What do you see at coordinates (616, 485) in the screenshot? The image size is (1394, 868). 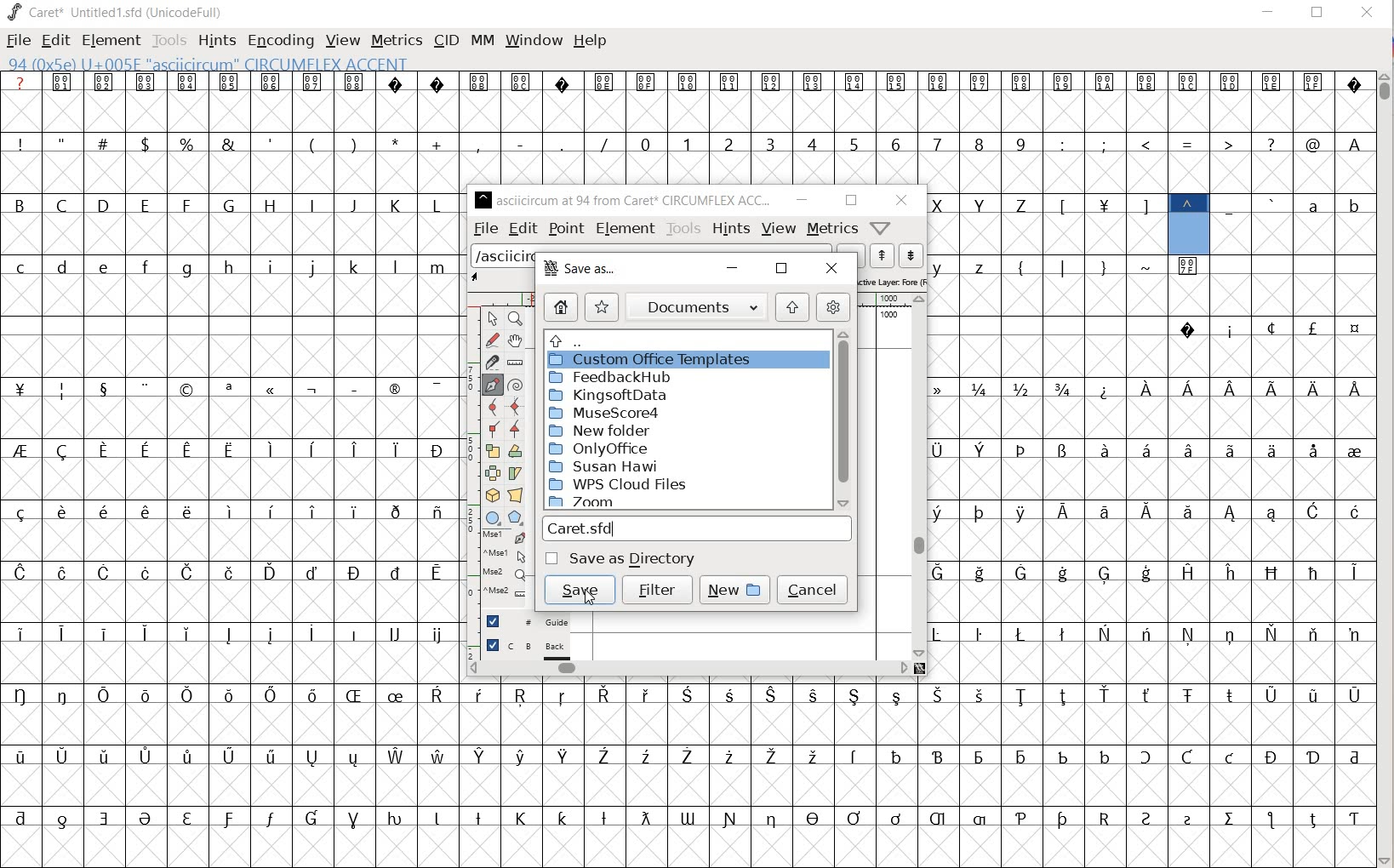 I see `wps cloud files` at bounding box center [616, 485].